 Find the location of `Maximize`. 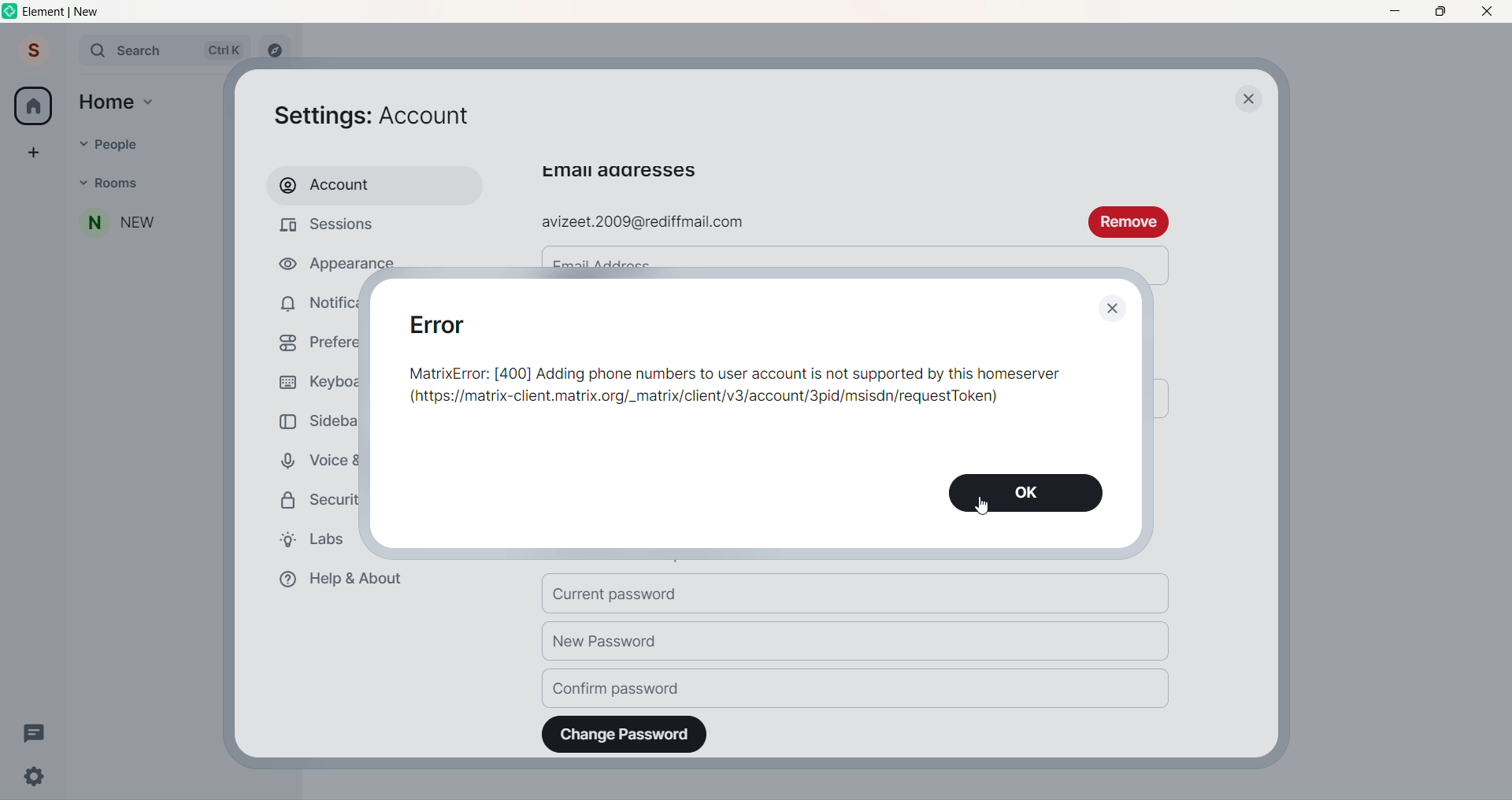

Maximize is located at coordinates (1437, 13).